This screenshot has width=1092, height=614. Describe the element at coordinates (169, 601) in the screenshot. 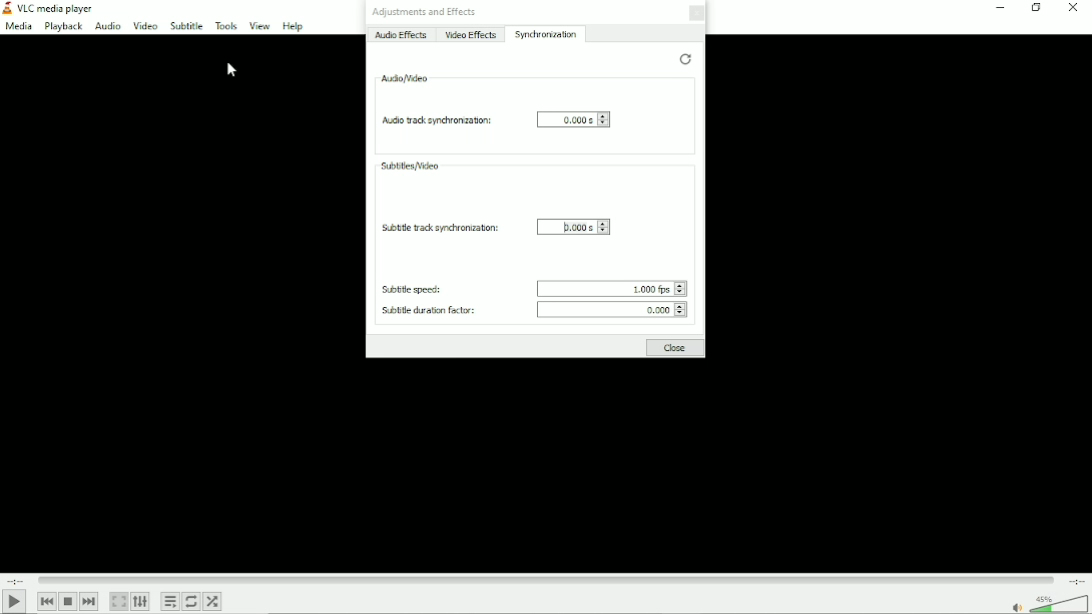

I see `Toggle playlist` at that location.